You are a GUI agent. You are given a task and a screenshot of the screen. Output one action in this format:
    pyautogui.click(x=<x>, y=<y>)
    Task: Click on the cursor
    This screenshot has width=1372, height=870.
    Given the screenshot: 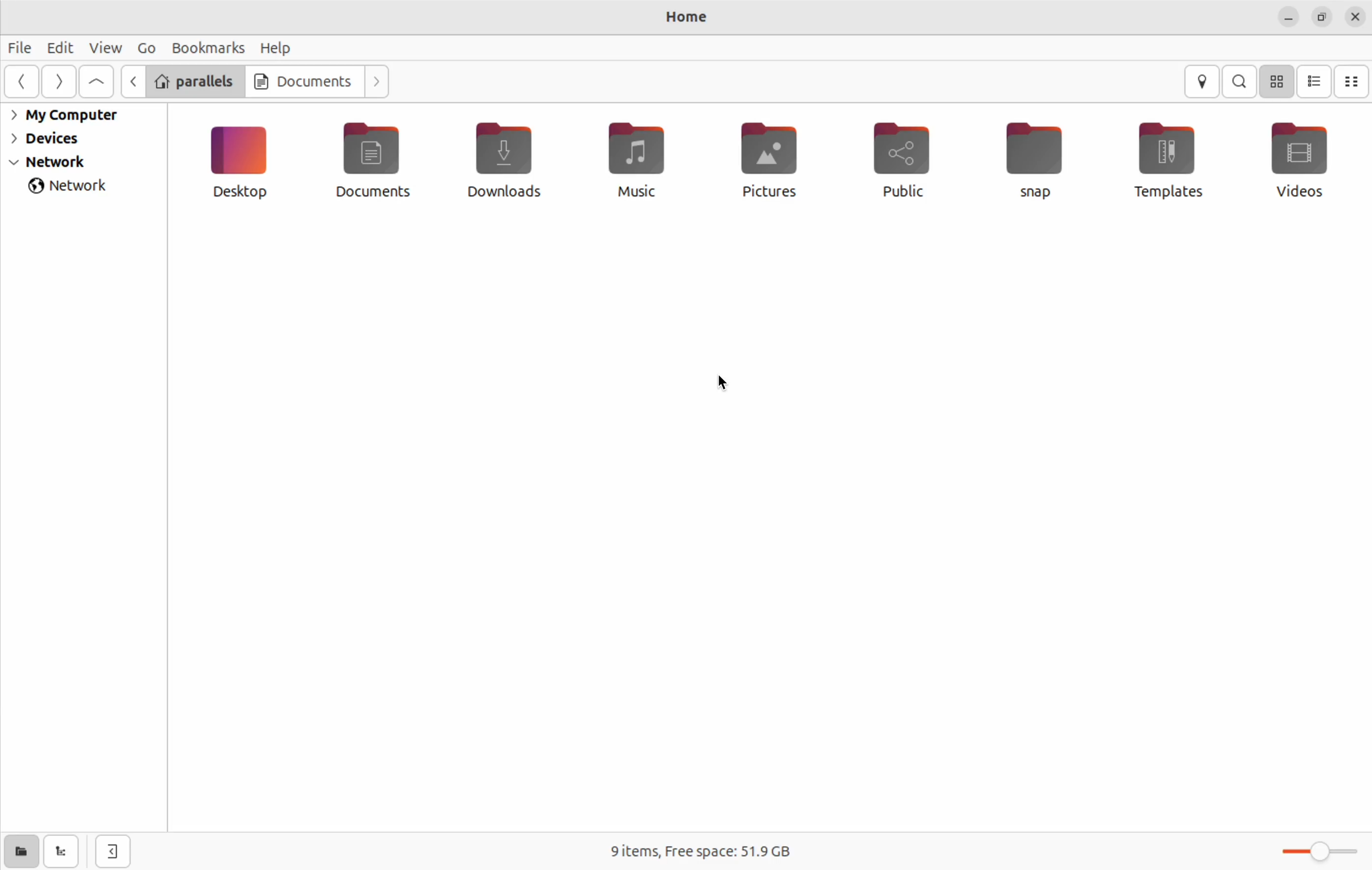 What is the action you would take?
    pyautogui.click(x=718, y=381)
    